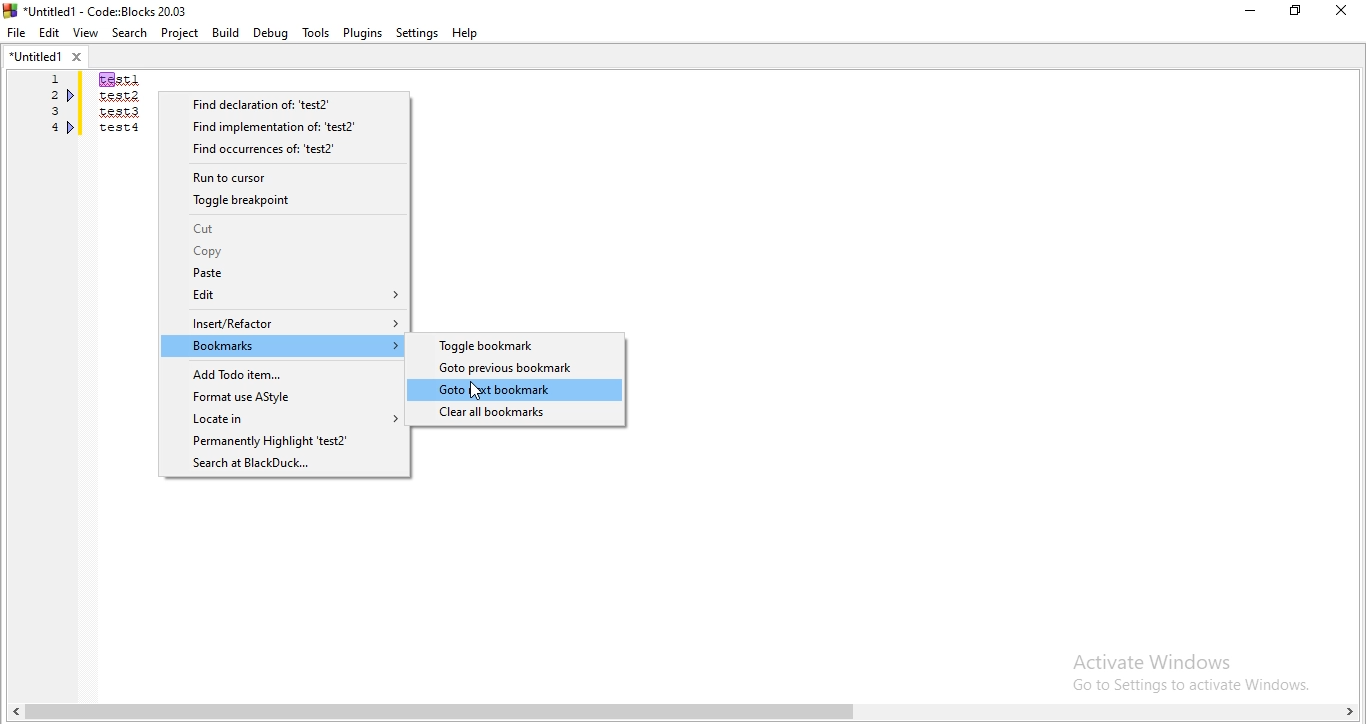  Describe the element at coordinates (73, 127) in the screenshot. I see `bookmark` at that location.